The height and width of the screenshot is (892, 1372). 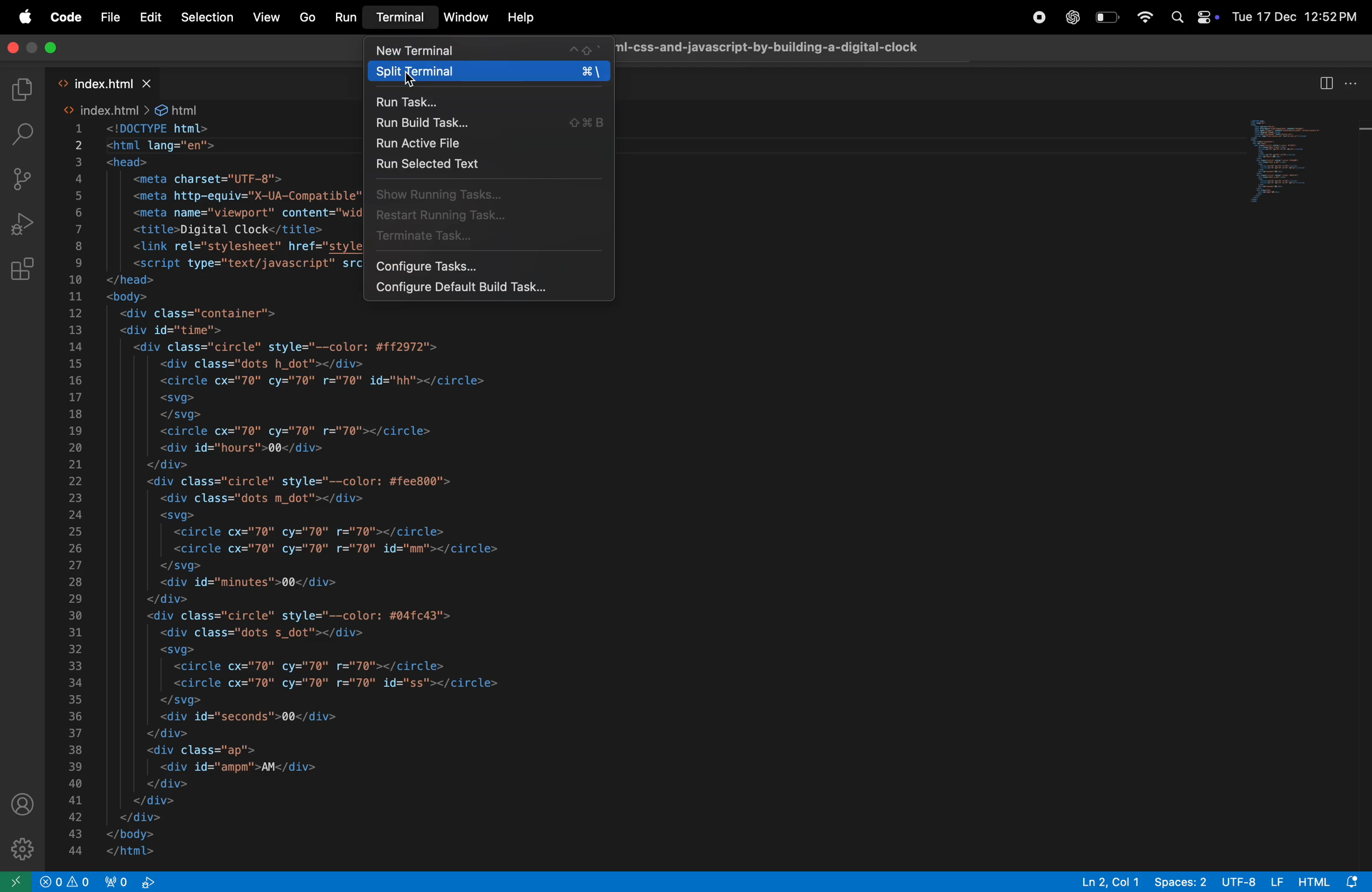 I want to click on | index.html — master-html-css-and-javascript-by-building-a-digital-clock, so click(x=780, y=46).